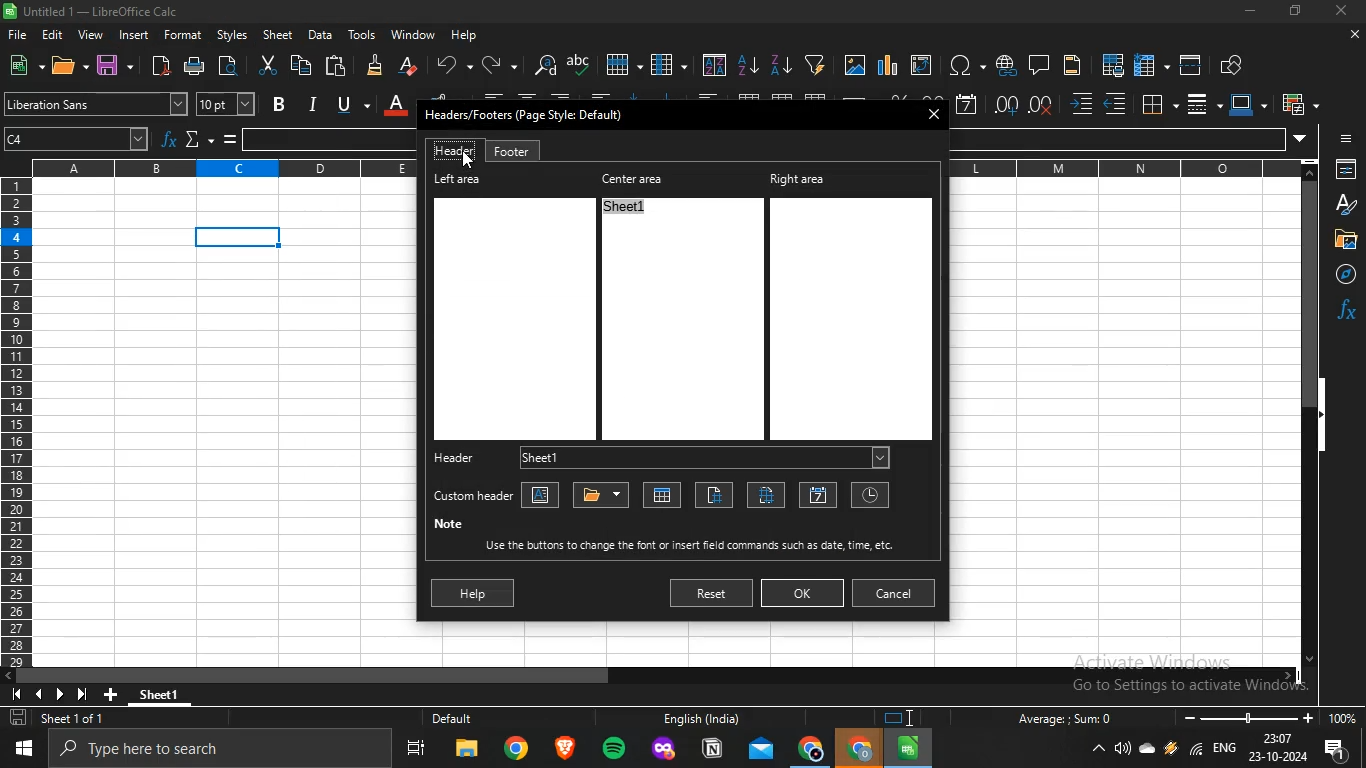 The height and width of the screenshot is (768, 1366). What do you see at coordinates (710, 594) in the screenshot?
I see `reset` at bounding box center [710, 594].